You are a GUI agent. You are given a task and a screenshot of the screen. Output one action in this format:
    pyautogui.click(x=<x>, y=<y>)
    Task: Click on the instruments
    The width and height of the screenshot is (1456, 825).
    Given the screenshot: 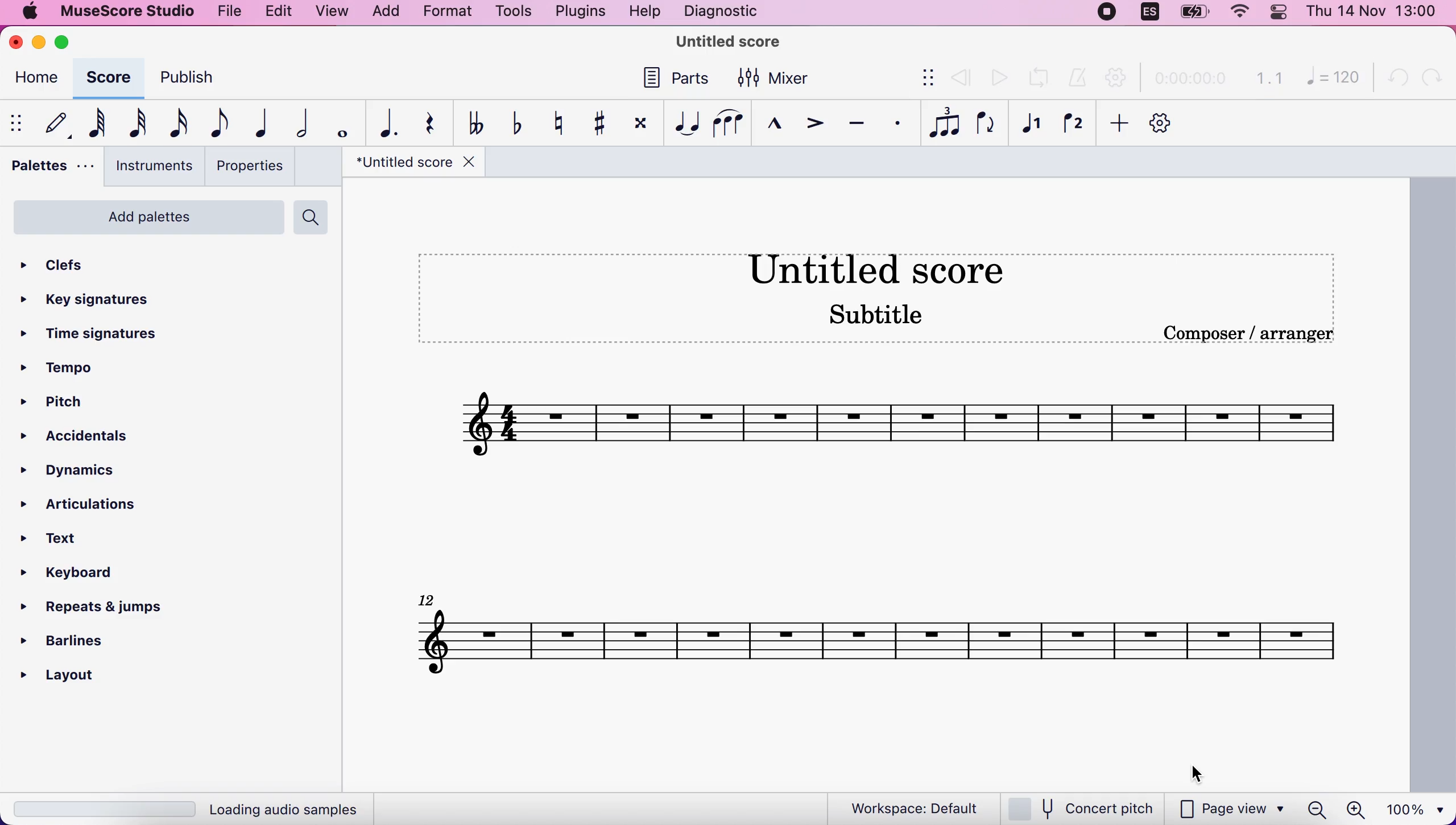 What is the action you would take?
    pyautogui.click(x=149, y=168)
    